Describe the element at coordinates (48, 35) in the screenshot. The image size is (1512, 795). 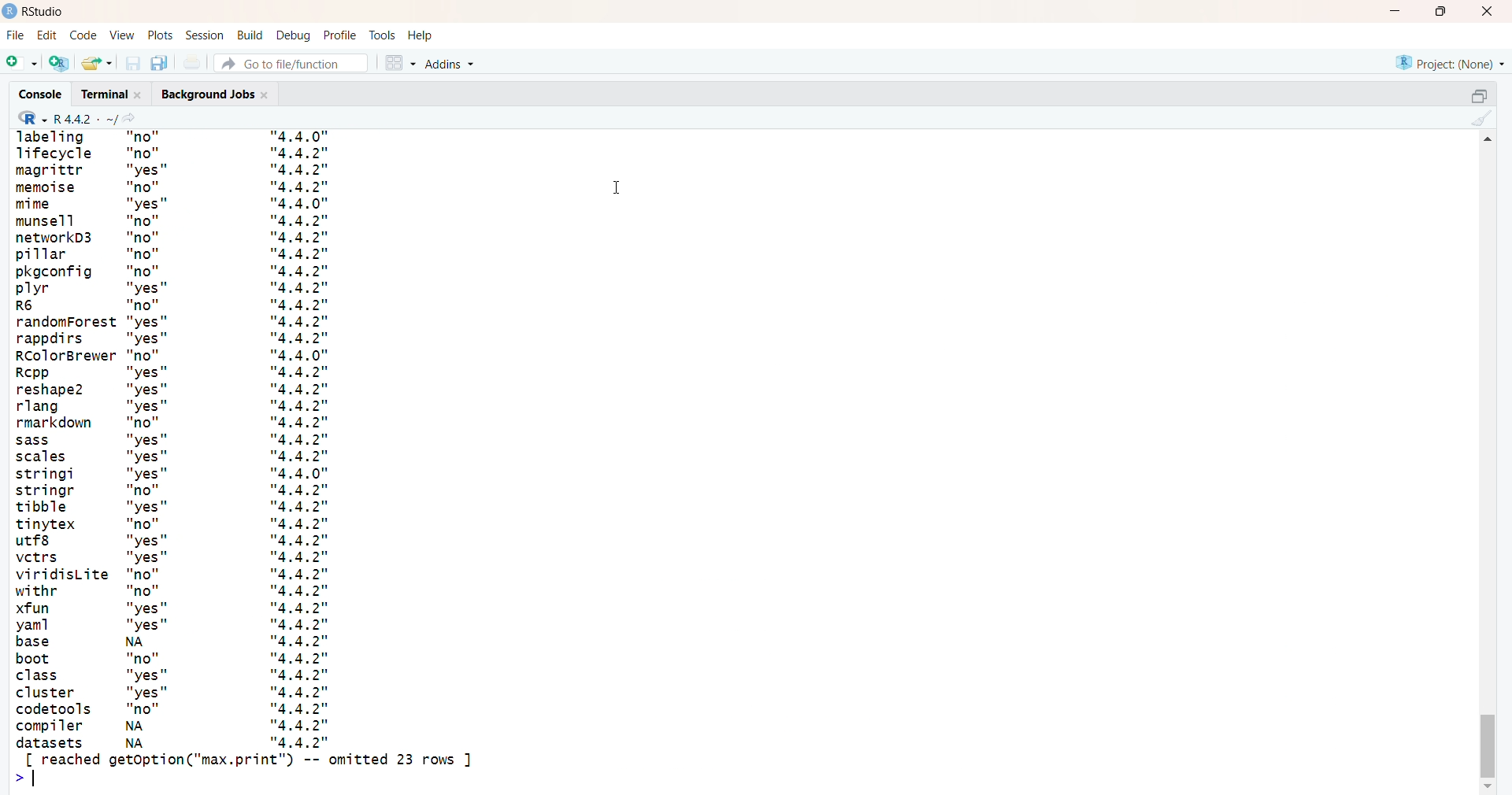
I see `edit` at that location.